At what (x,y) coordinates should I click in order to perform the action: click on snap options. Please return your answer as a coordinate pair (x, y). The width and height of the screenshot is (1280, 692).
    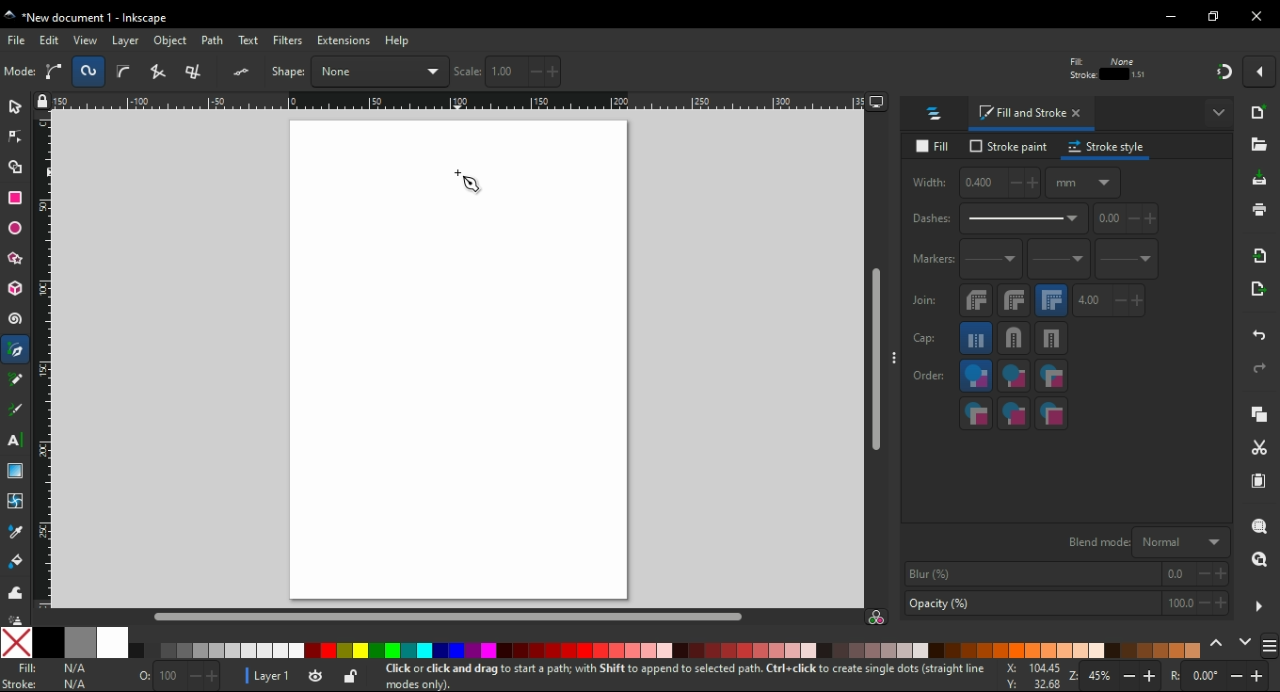
    Looking at the image, I should click on (1262, 70).